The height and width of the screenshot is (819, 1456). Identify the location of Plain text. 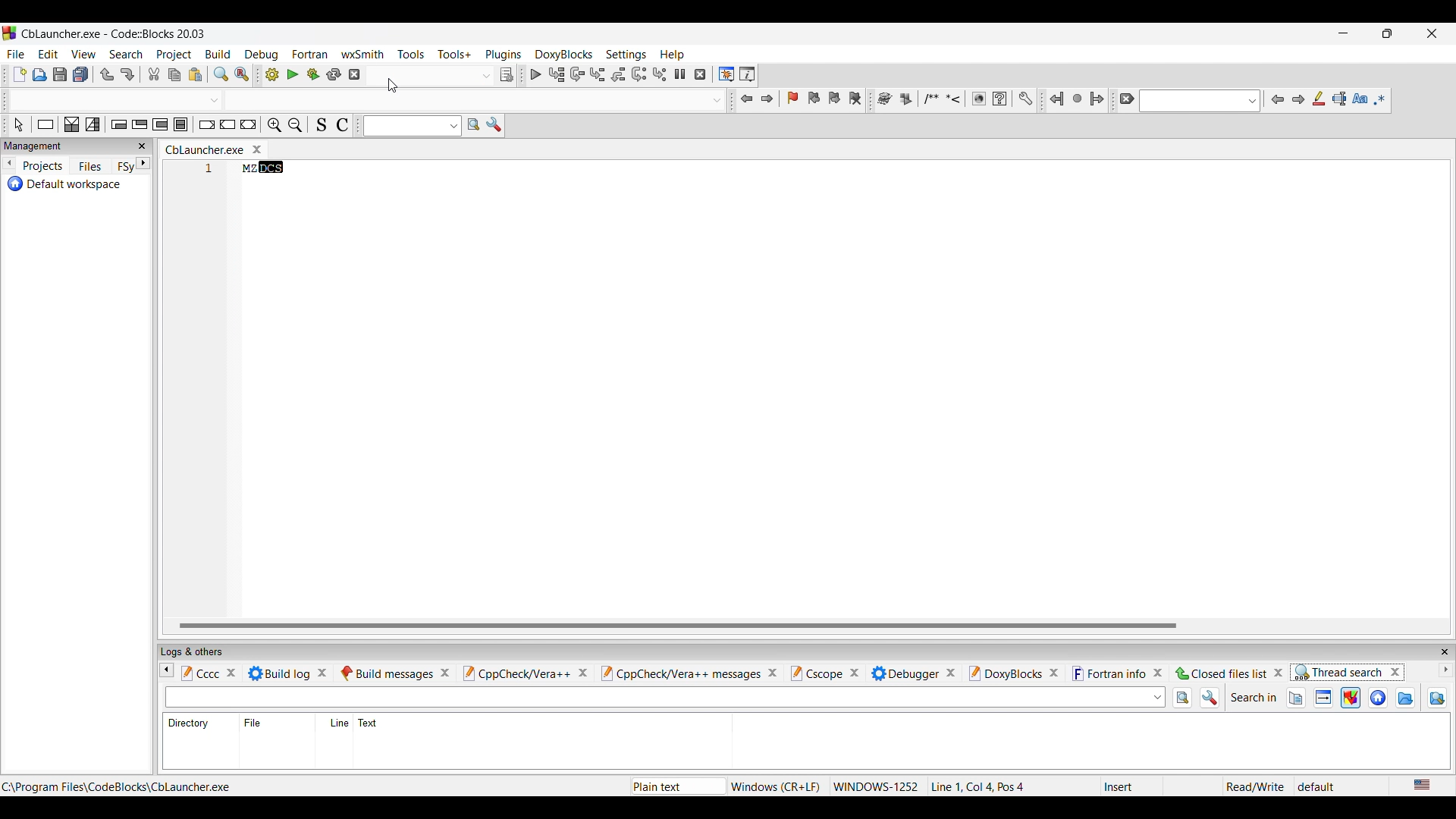
(660, 785).